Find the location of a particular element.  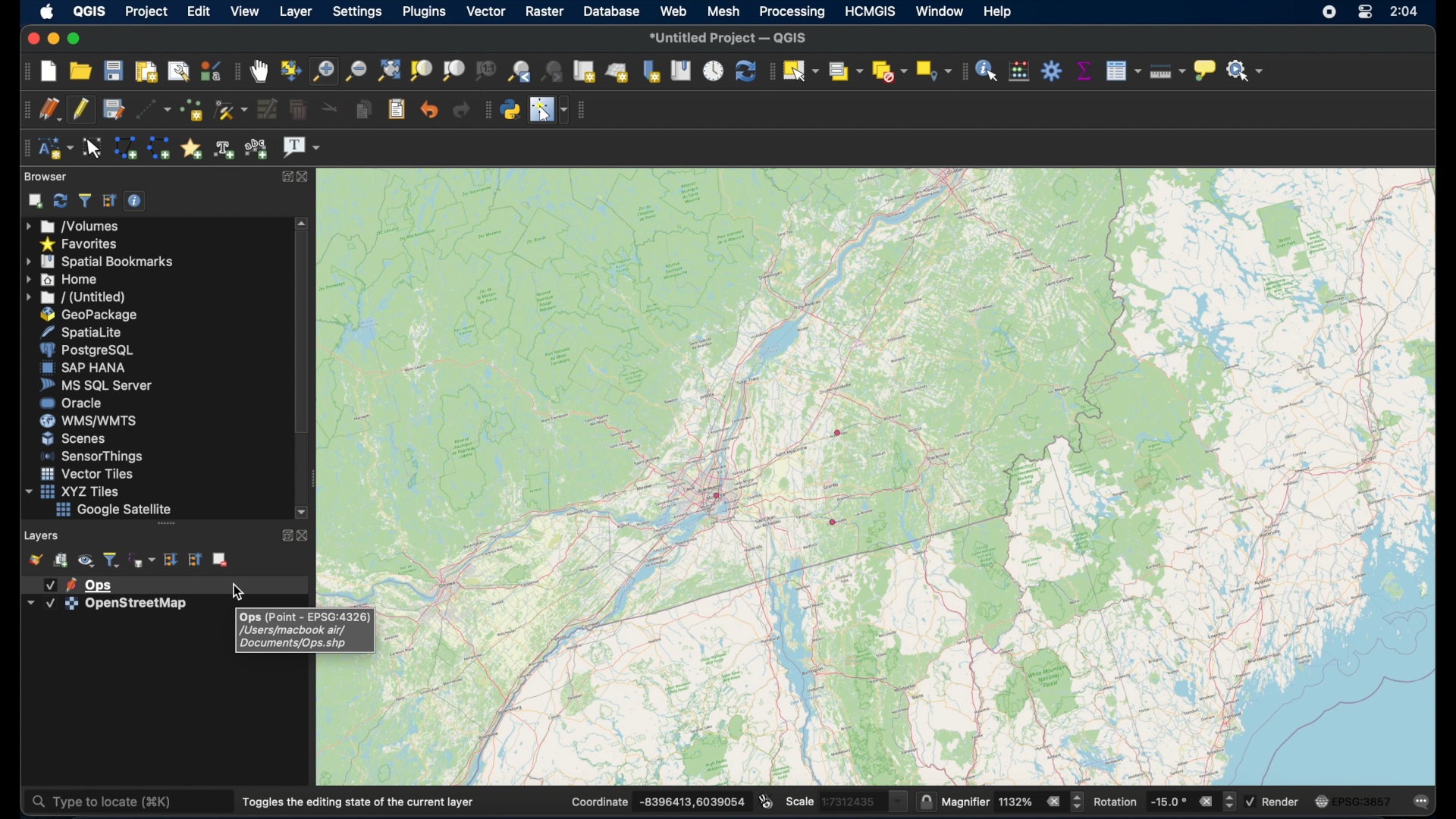

layer  is located at coordinates (77, 584).